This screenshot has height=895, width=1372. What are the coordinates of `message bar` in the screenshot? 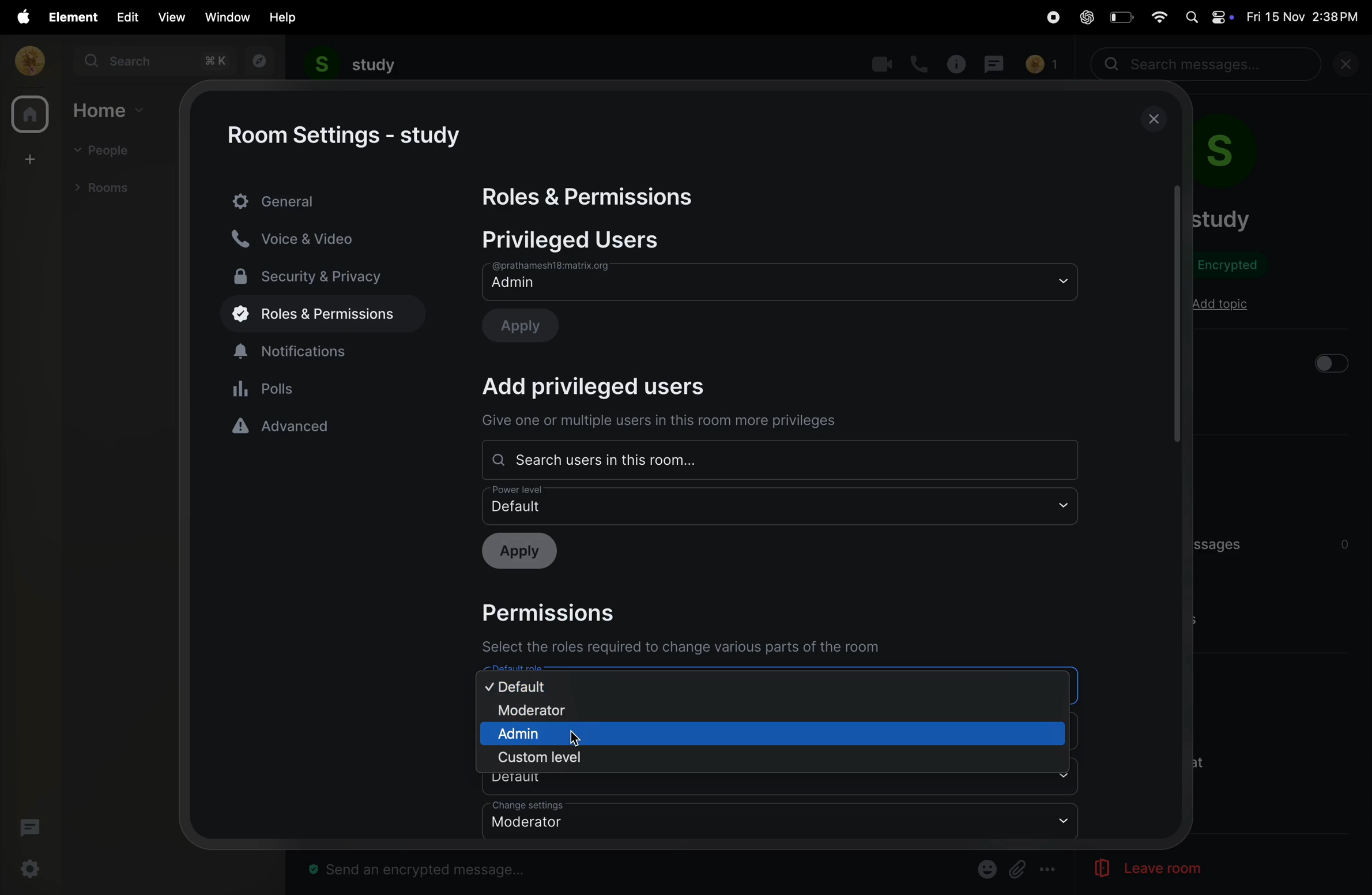 It's located at (423, 871).